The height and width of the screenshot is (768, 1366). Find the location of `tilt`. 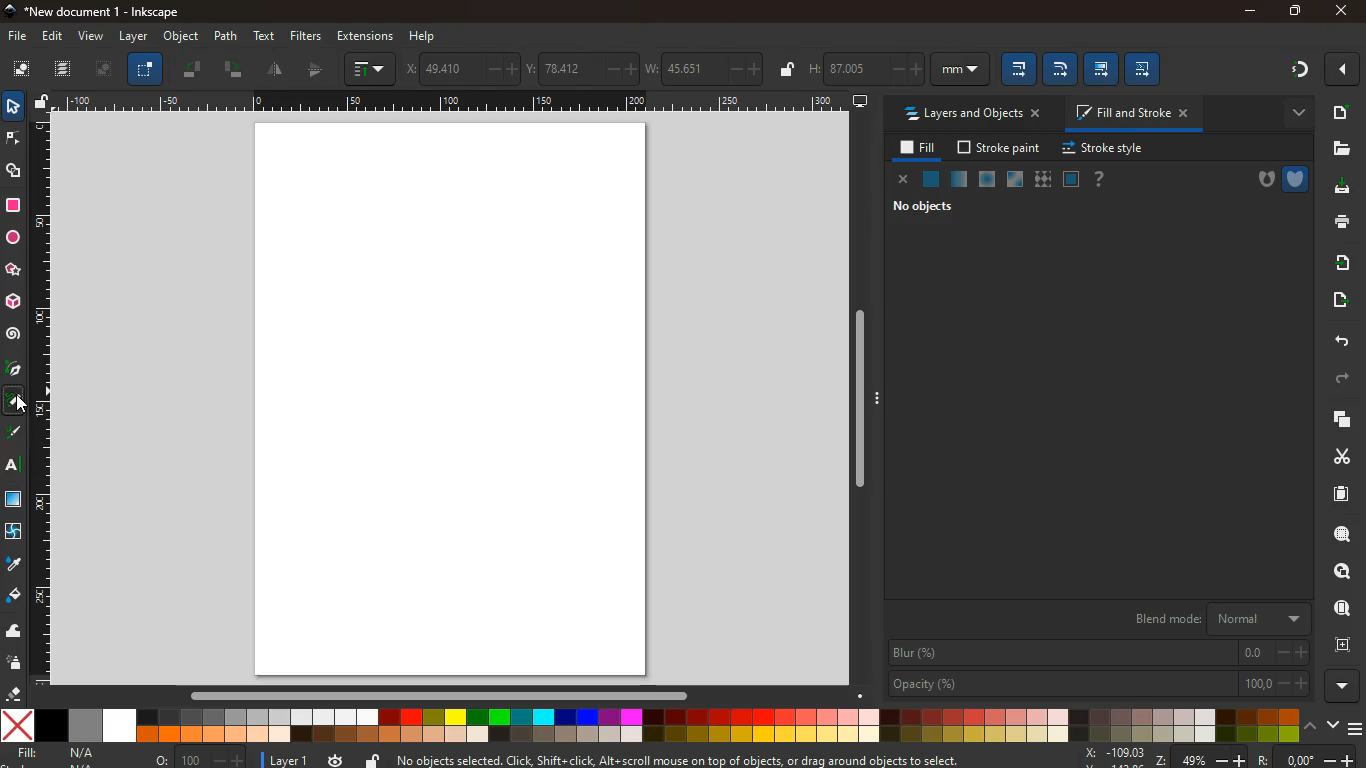

tilt is located at coordinates (191, 71).